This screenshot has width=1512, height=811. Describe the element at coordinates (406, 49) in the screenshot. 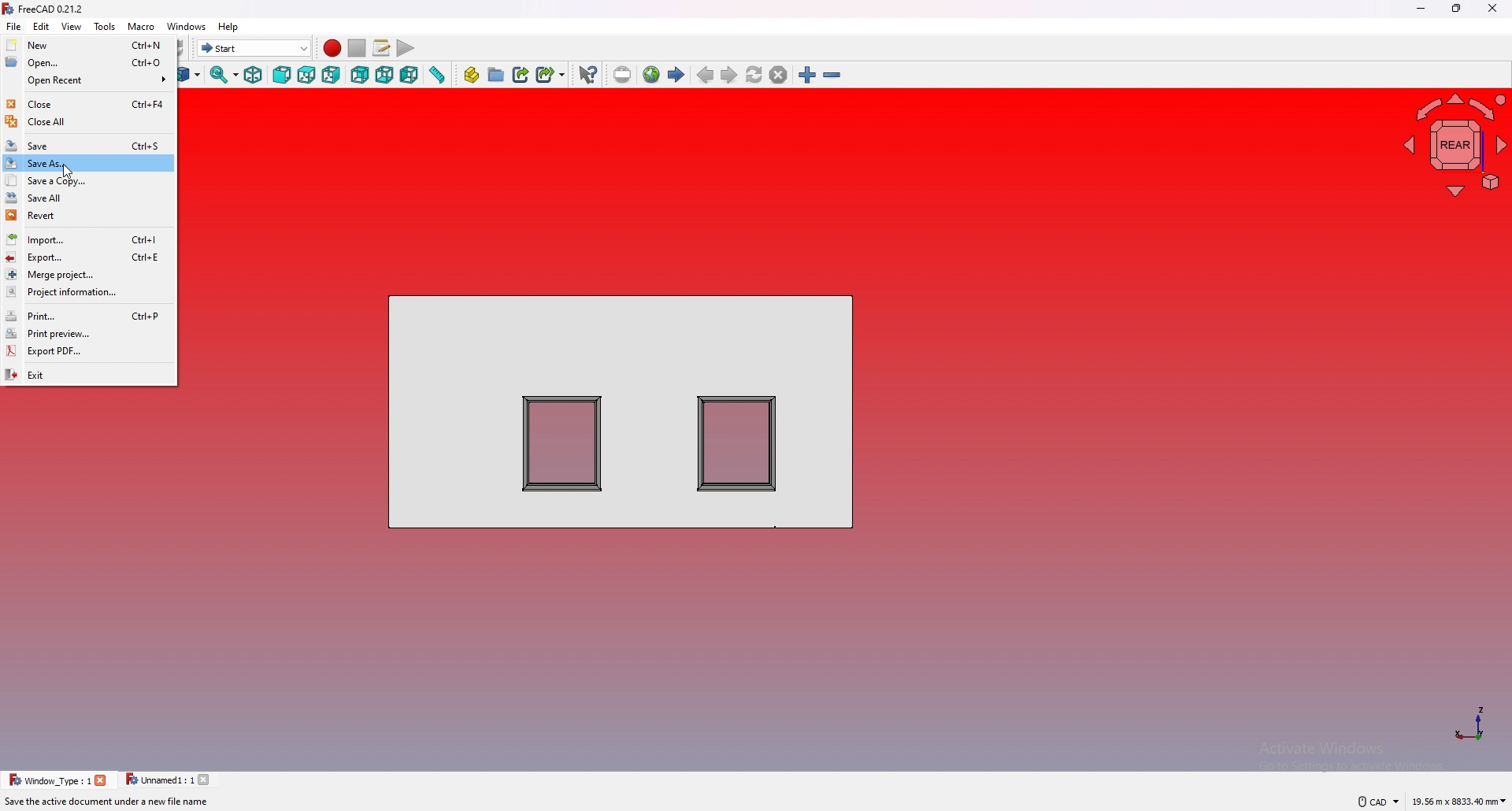

I see `execute macro` at that location.